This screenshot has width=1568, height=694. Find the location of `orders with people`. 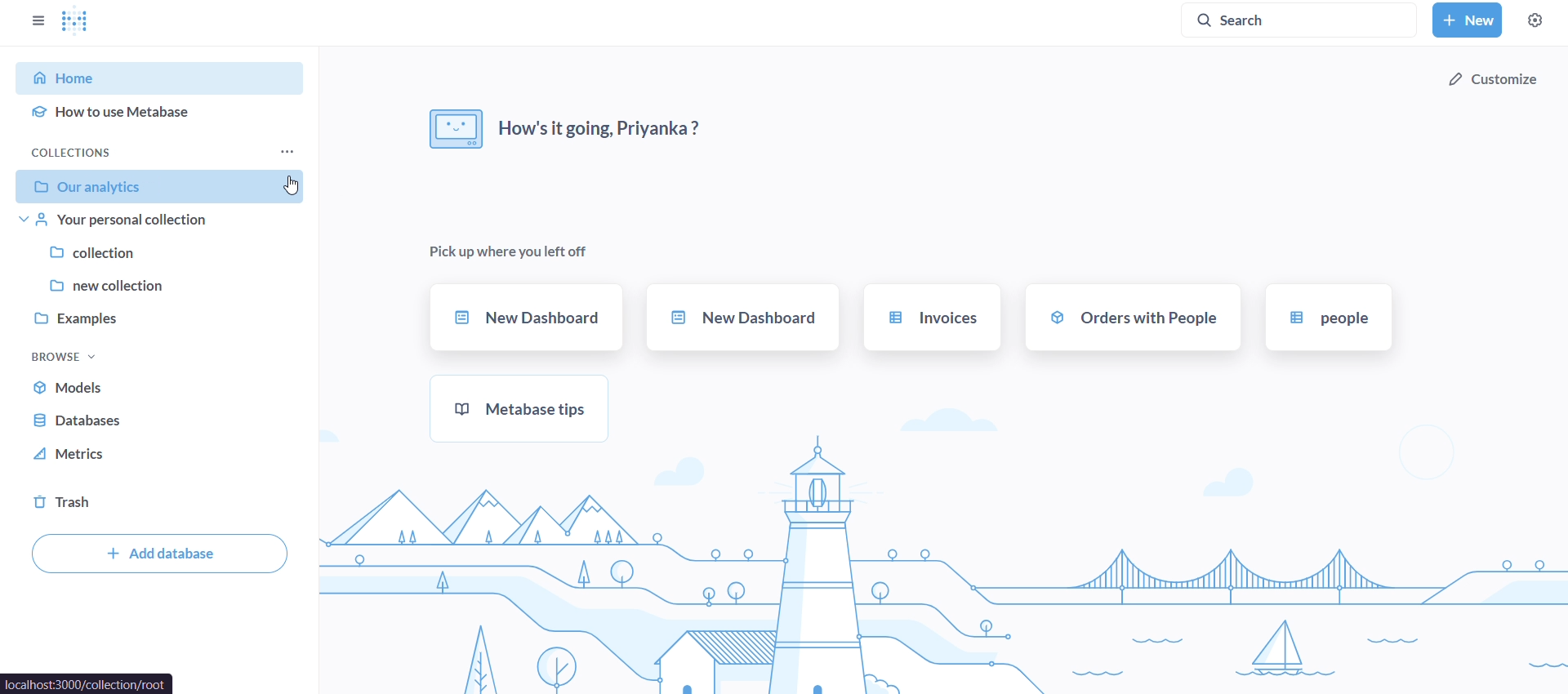

orders with people is located at coordinates (1133, 316).